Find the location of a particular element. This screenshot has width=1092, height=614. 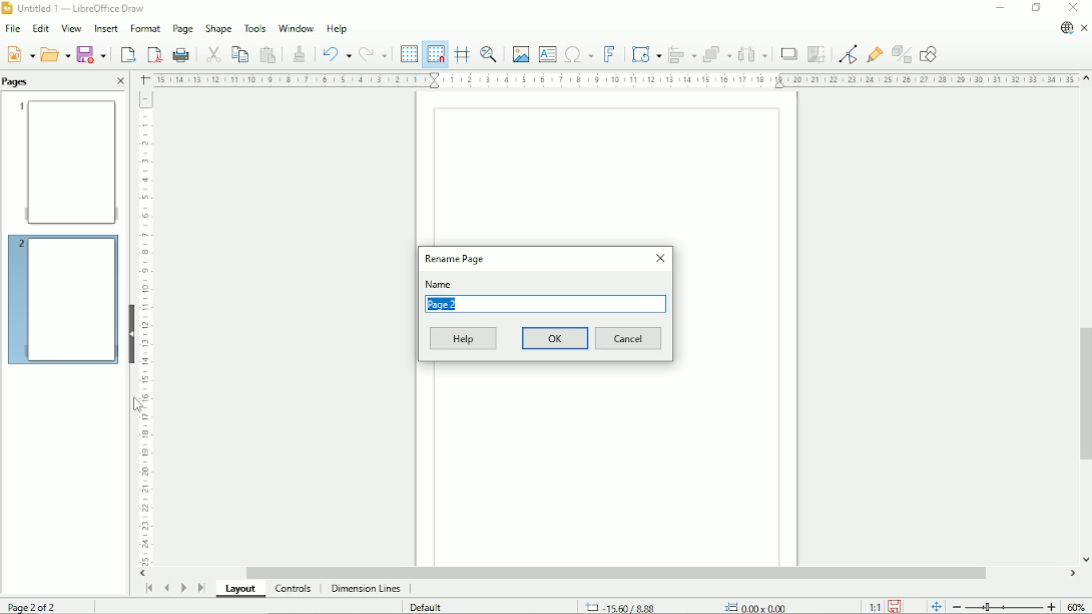

Show gluepoint functions is located at coordinates (875, 54).